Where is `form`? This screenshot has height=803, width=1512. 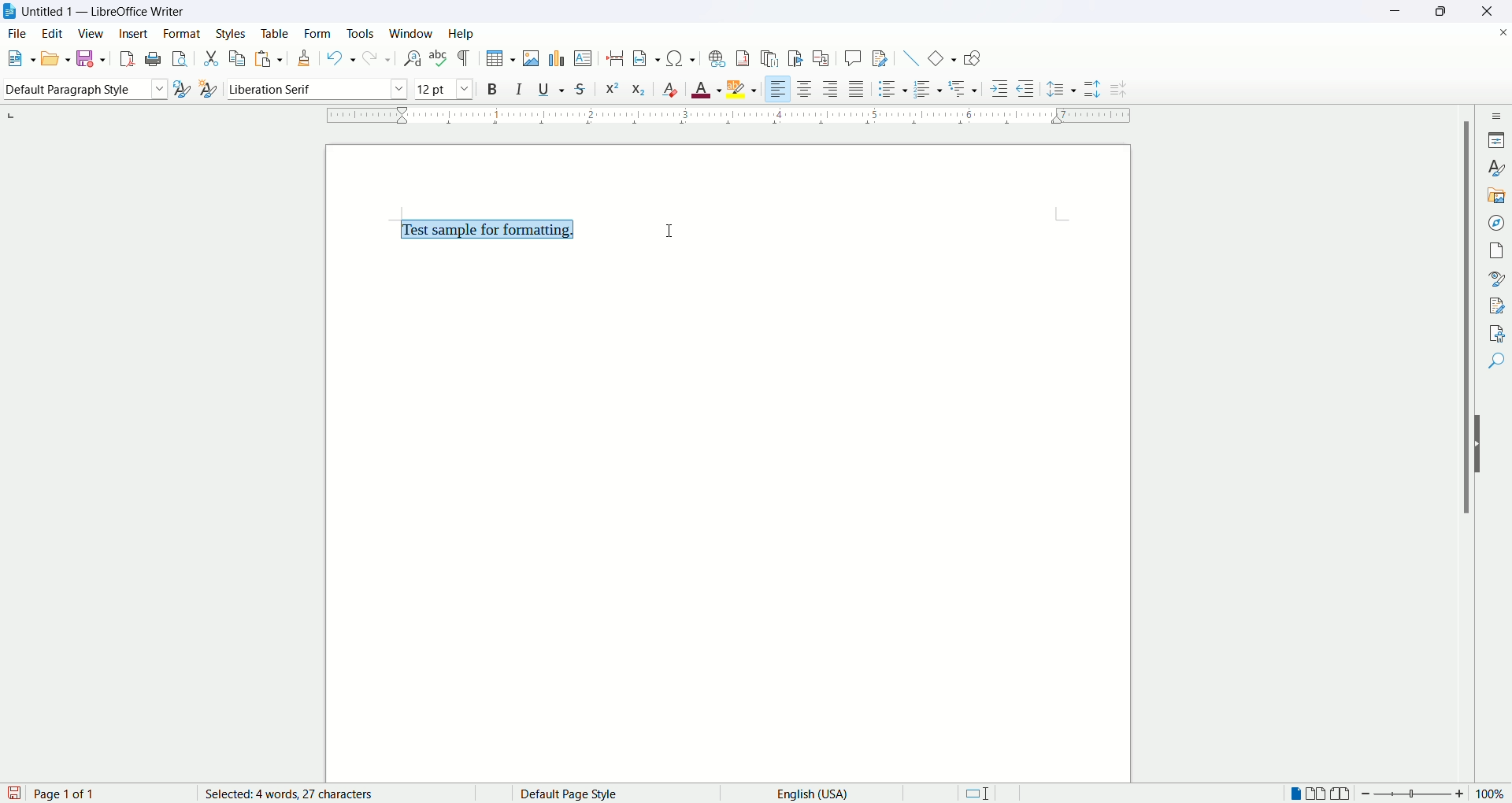 form is located at coordinates (317, 32).